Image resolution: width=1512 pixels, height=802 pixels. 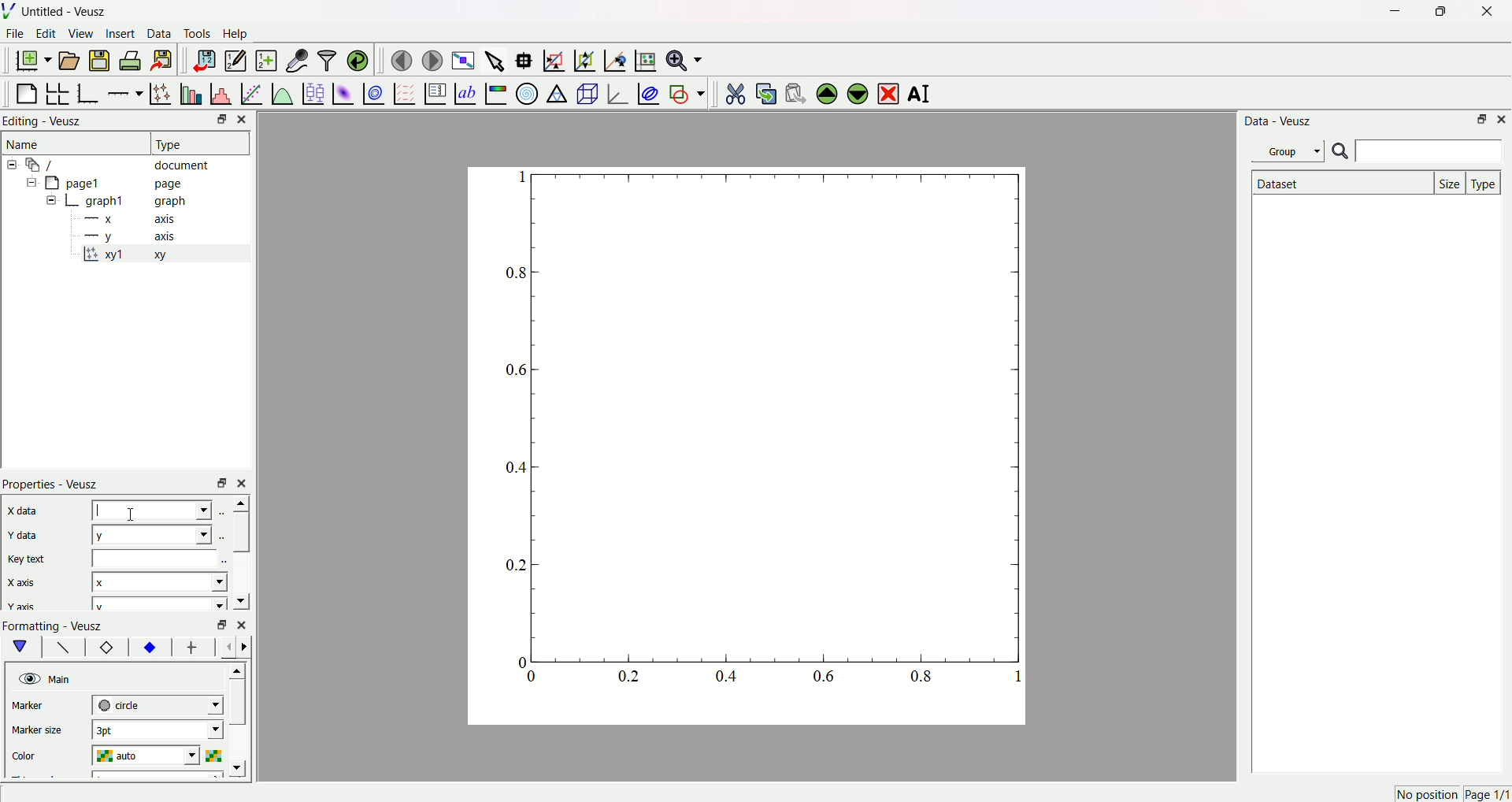 I want to click on read data points, so click(x=527, y=58).